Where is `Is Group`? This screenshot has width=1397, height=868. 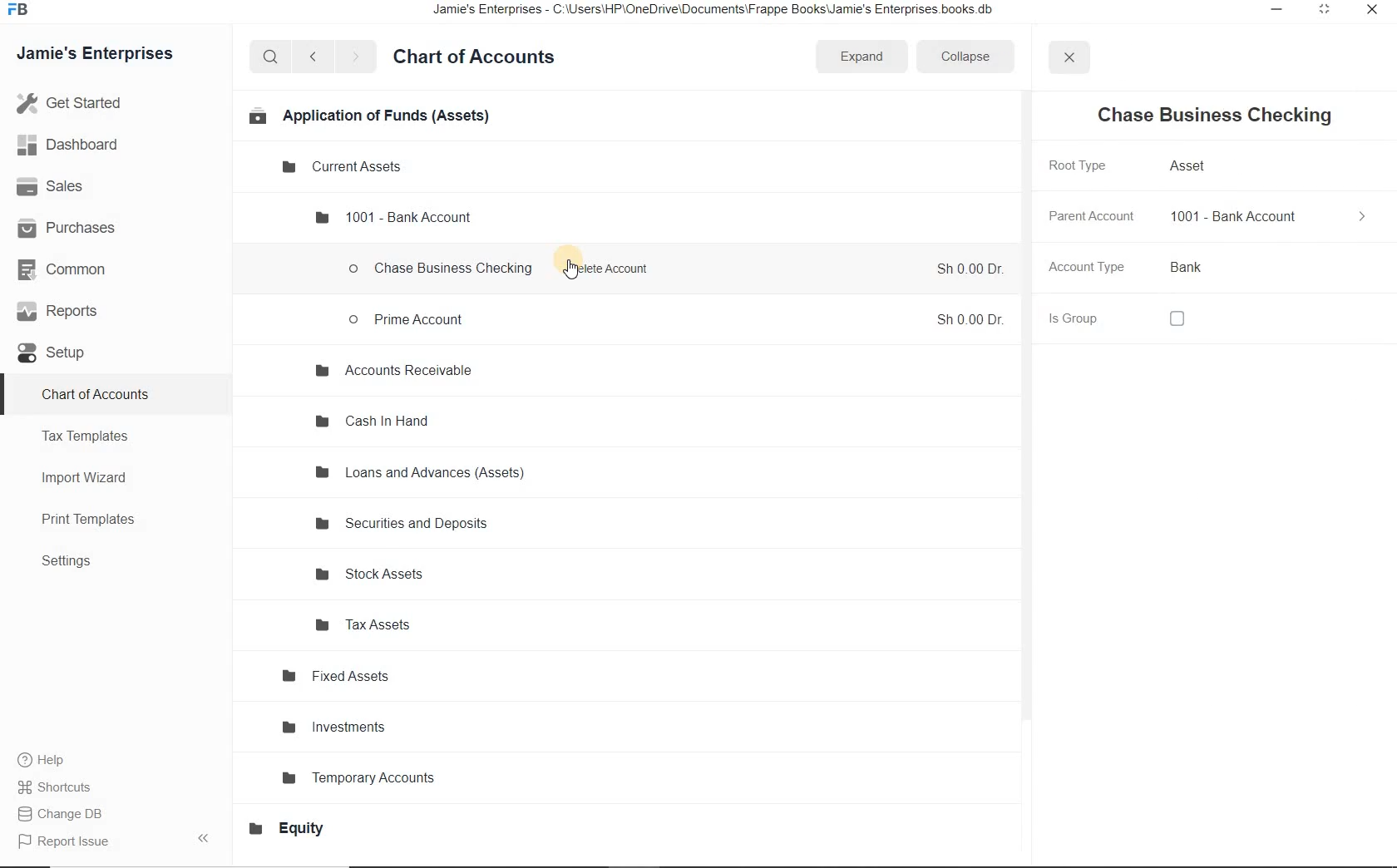 Is Group is located at coordinates (1074, 321).